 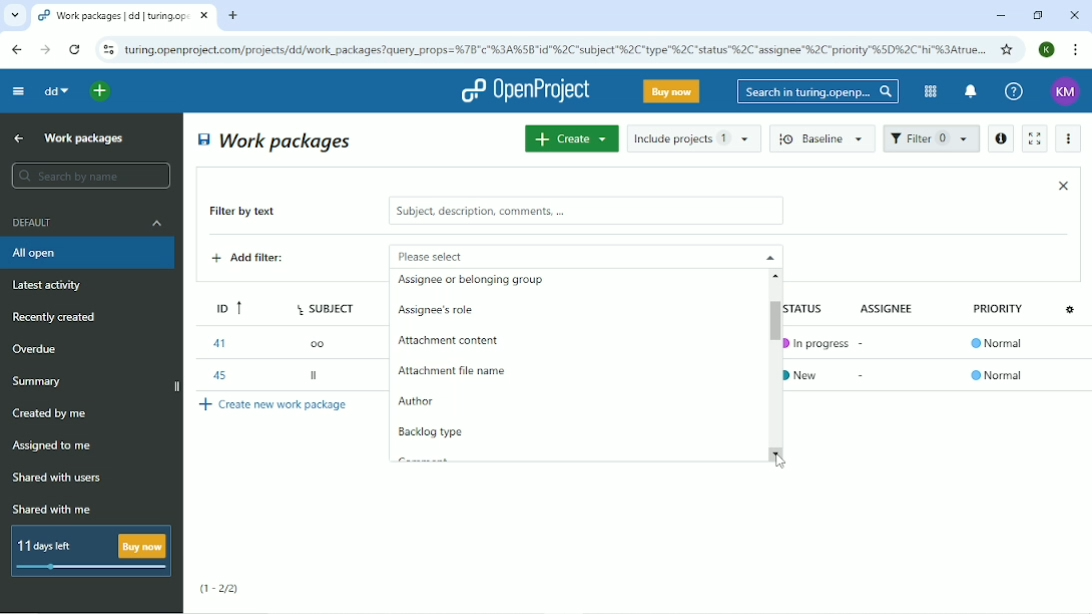 What do you see at coordinates (53, 414) in the screenshot?
I see `Created by me` at bounding box center [53, 414].